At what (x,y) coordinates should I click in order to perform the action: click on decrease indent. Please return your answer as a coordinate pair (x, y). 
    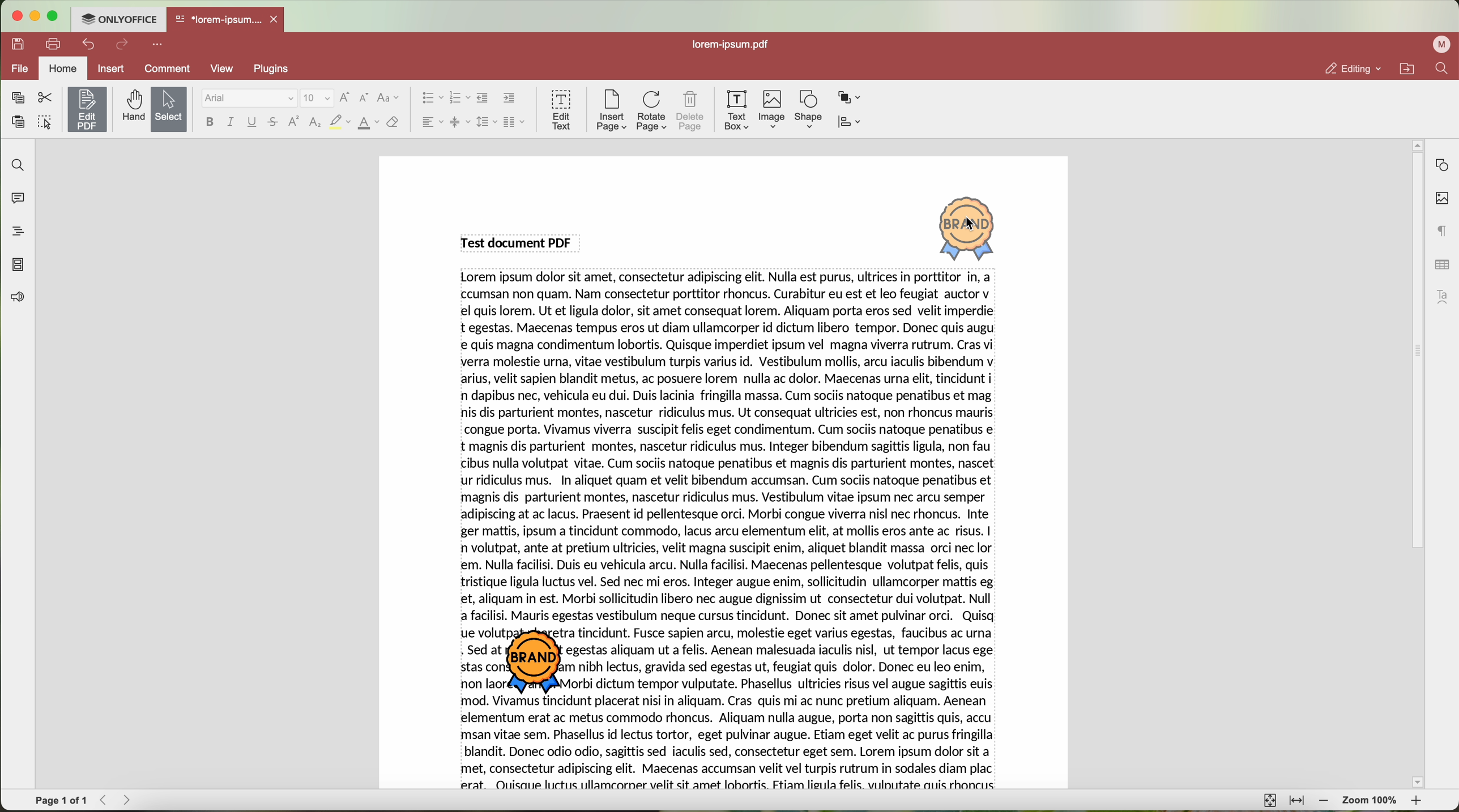
    Looking at the image, I should click on (483, 98).